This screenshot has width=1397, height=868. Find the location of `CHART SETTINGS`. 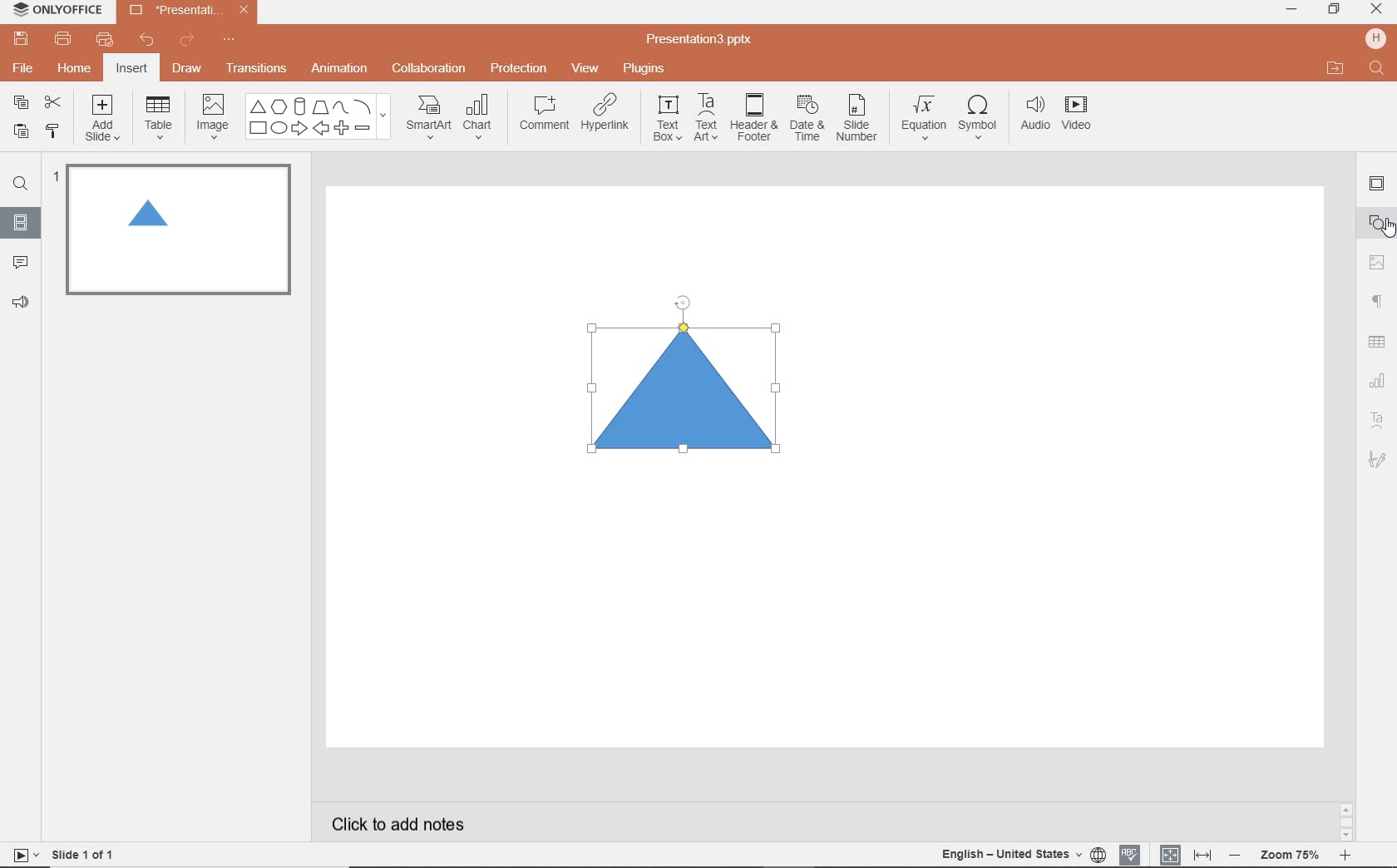

CHART SETTINGS is located at coordinates (1378, 379).